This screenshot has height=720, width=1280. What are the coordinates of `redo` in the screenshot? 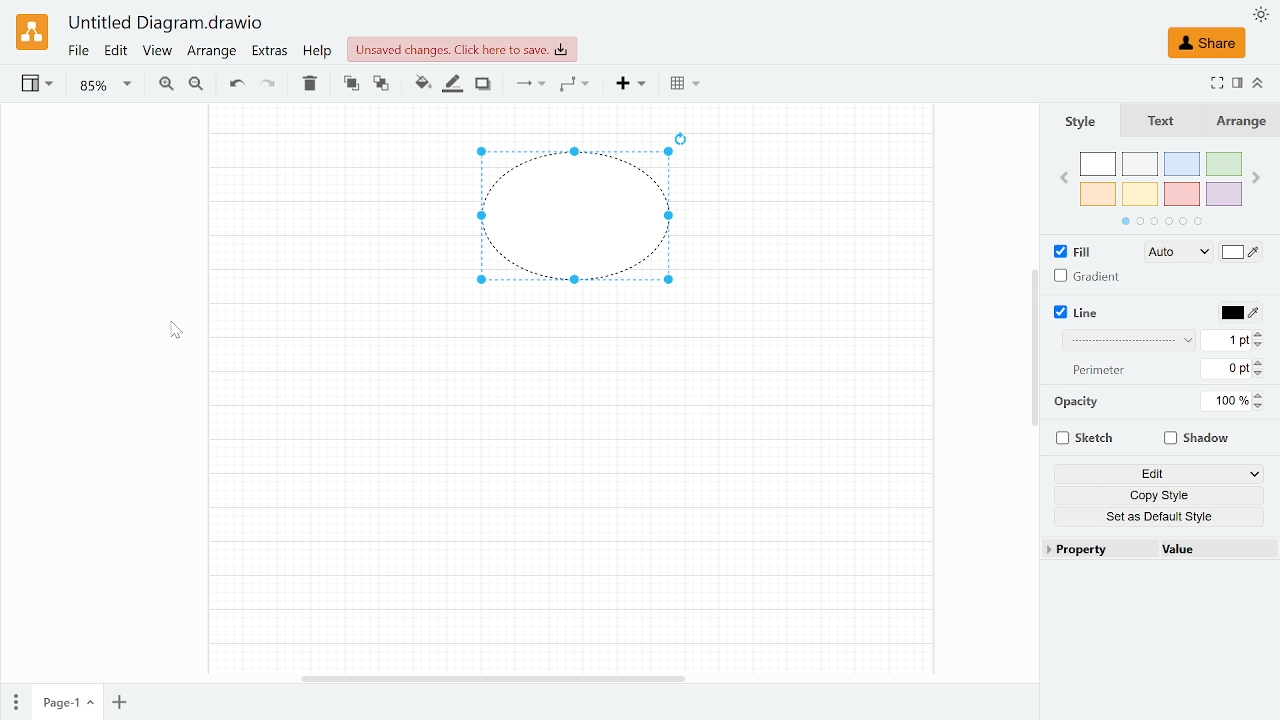 It's located at (269, 87).